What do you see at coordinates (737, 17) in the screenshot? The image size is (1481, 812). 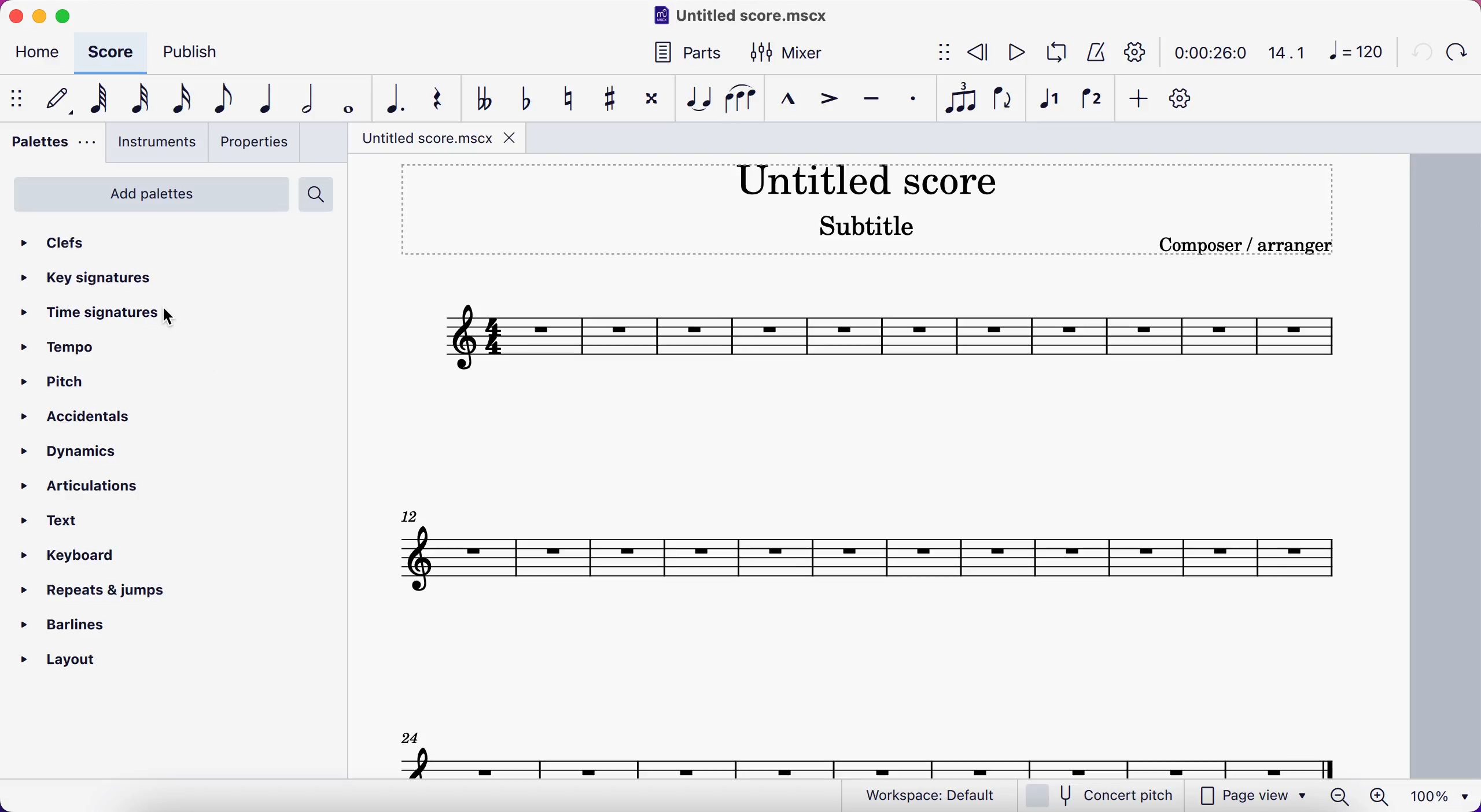 I see `title` at bounding box center [737, 17].